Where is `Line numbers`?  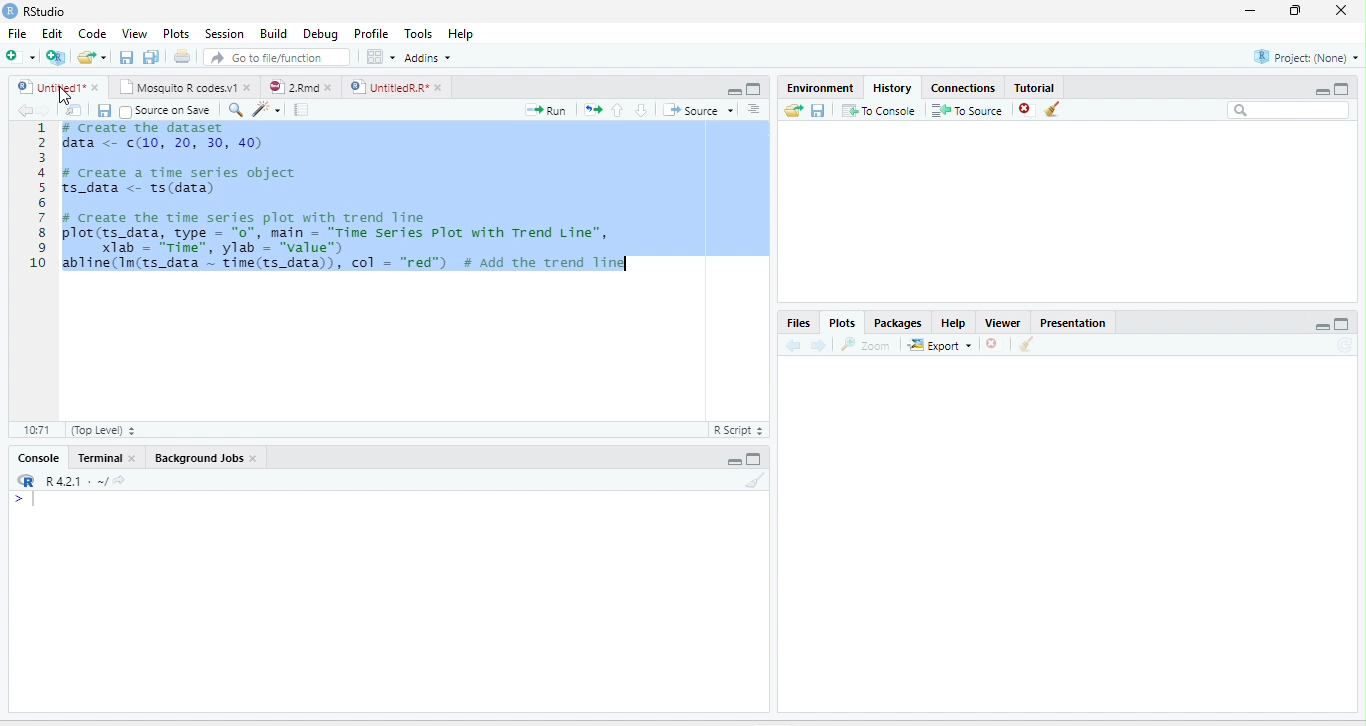 Line numbers is located at coordinates (38, 198).